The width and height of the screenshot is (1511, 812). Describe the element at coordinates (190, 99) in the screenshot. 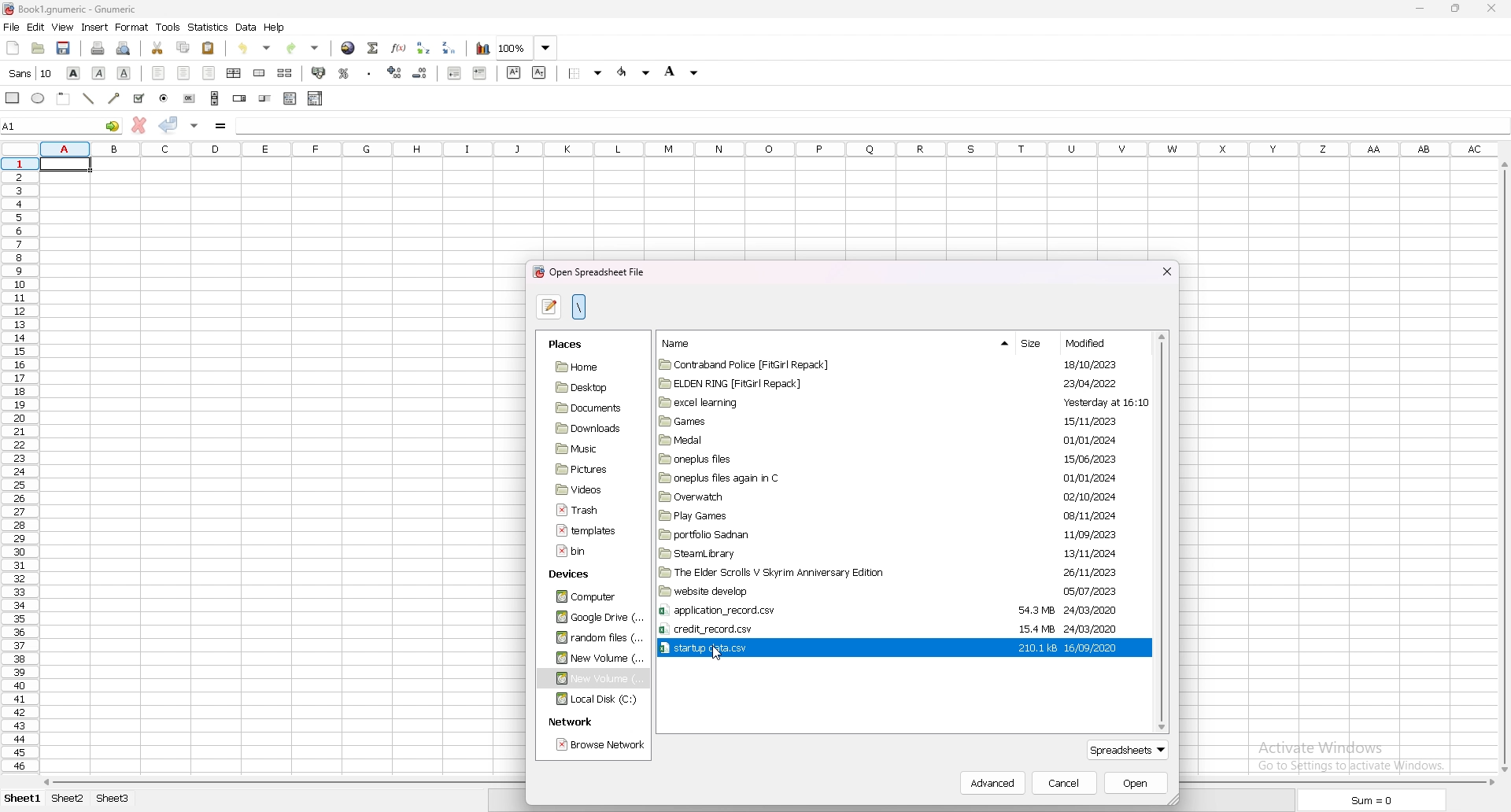

I see `button` at that location.